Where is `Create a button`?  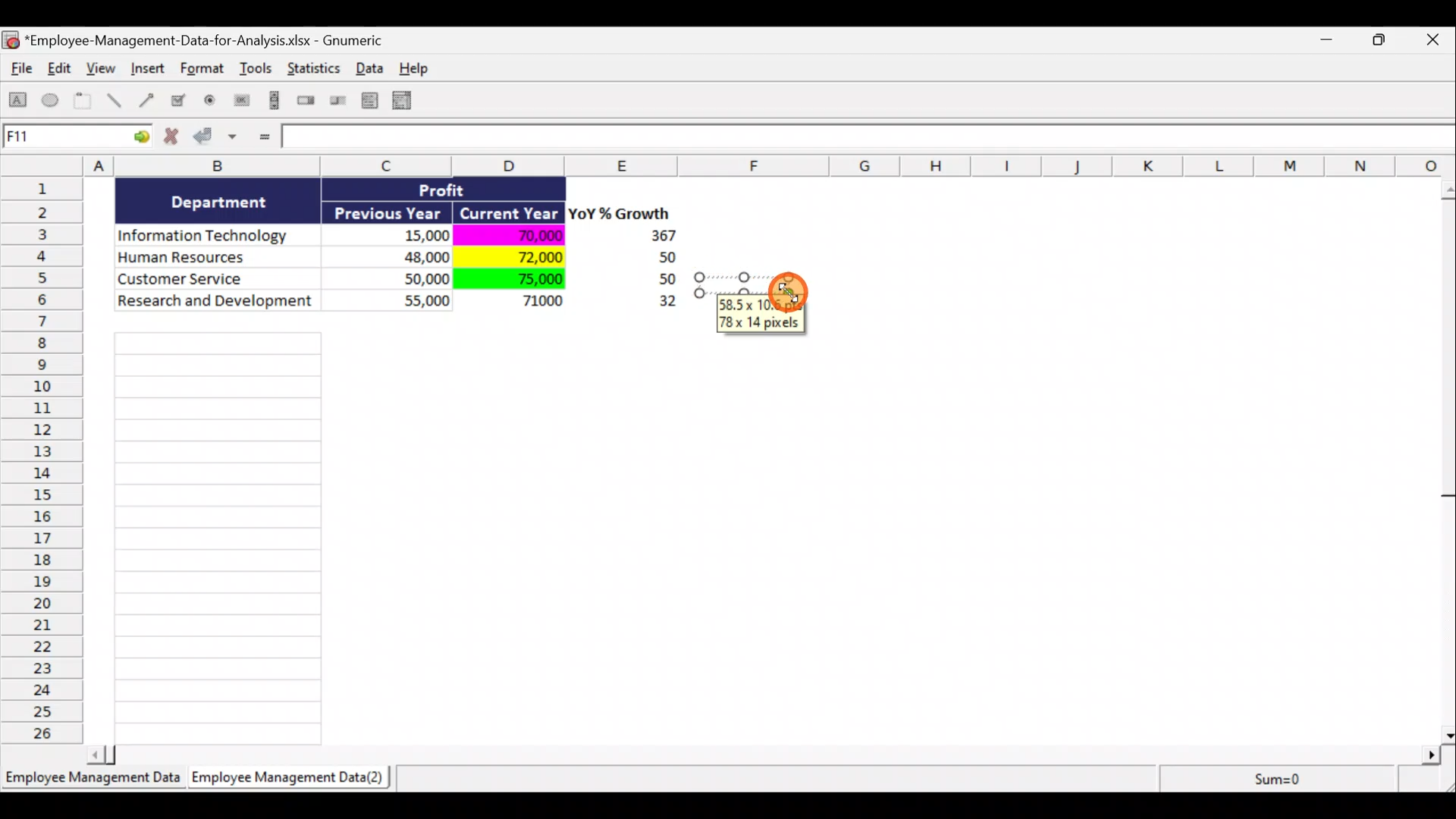 Create a button is located at coordinates (240, 104).